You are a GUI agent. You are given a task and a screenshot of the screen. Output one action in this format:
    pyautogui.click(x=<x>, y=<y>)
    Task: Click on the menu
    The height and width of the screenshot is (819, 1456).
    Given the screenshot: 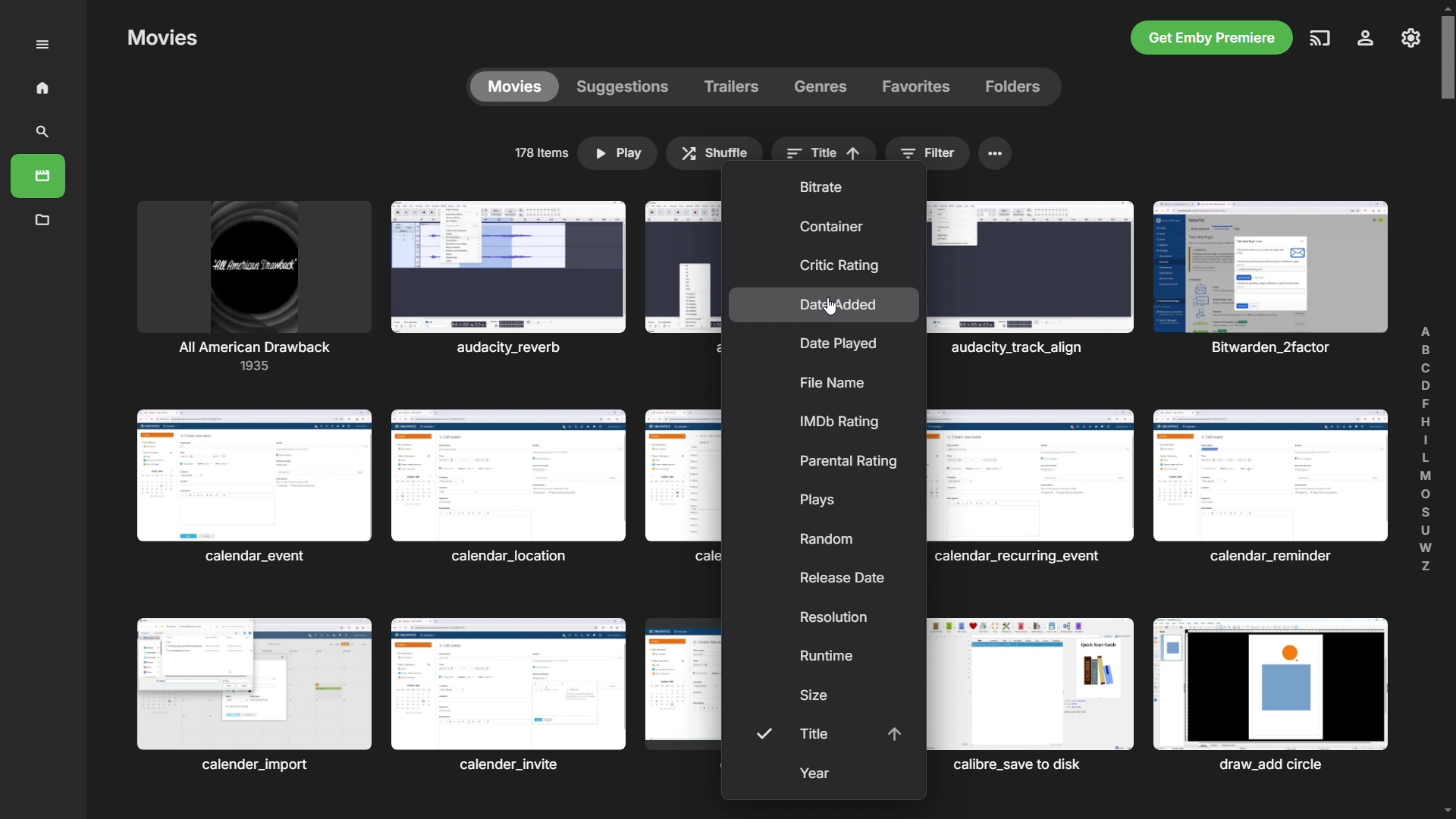 What is the action you would take?
    pyautogui.click(x=996, y=153)
    